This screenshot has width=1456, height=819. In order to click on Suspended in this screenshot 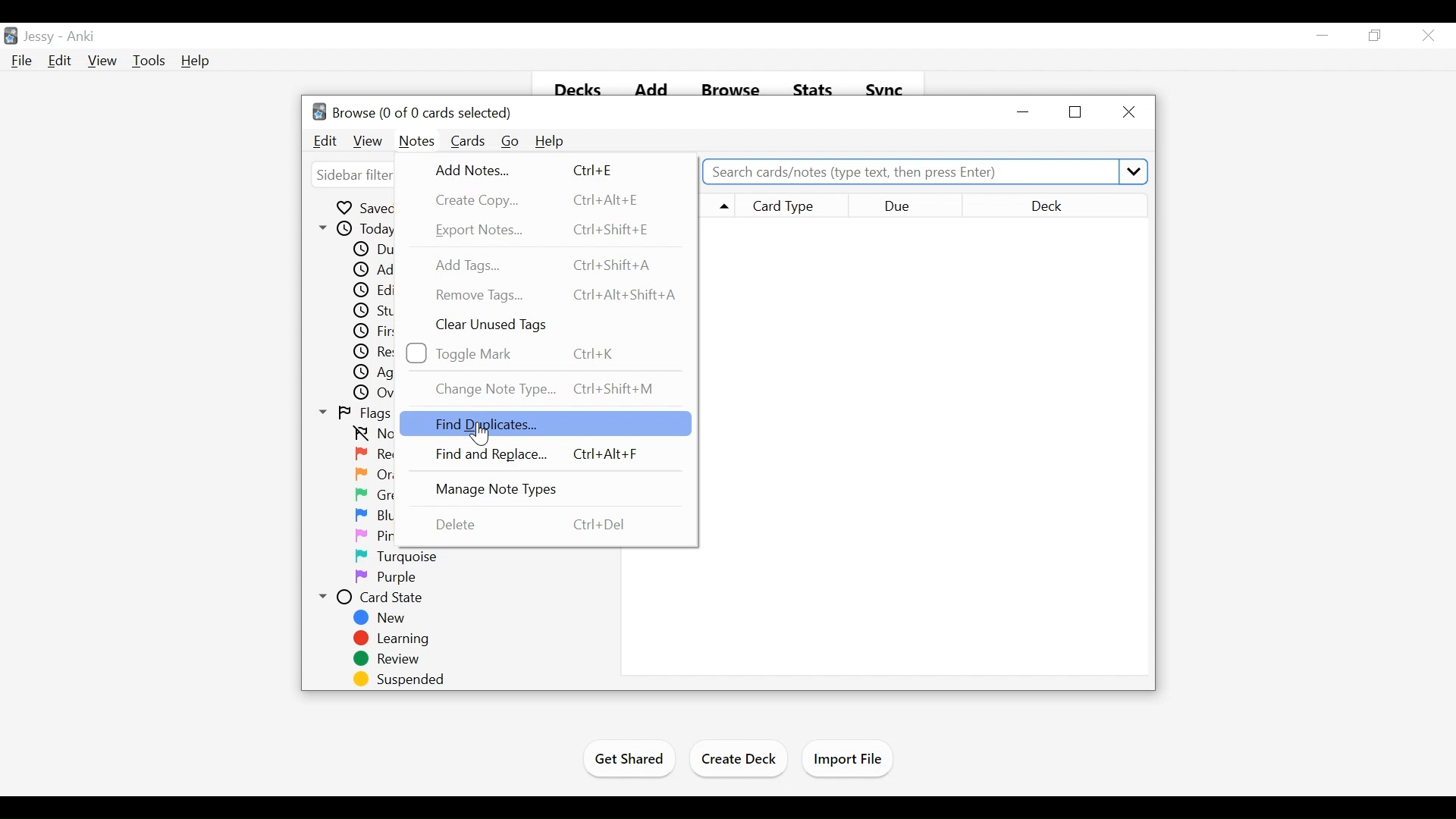, I will do `click(395, 679)`.